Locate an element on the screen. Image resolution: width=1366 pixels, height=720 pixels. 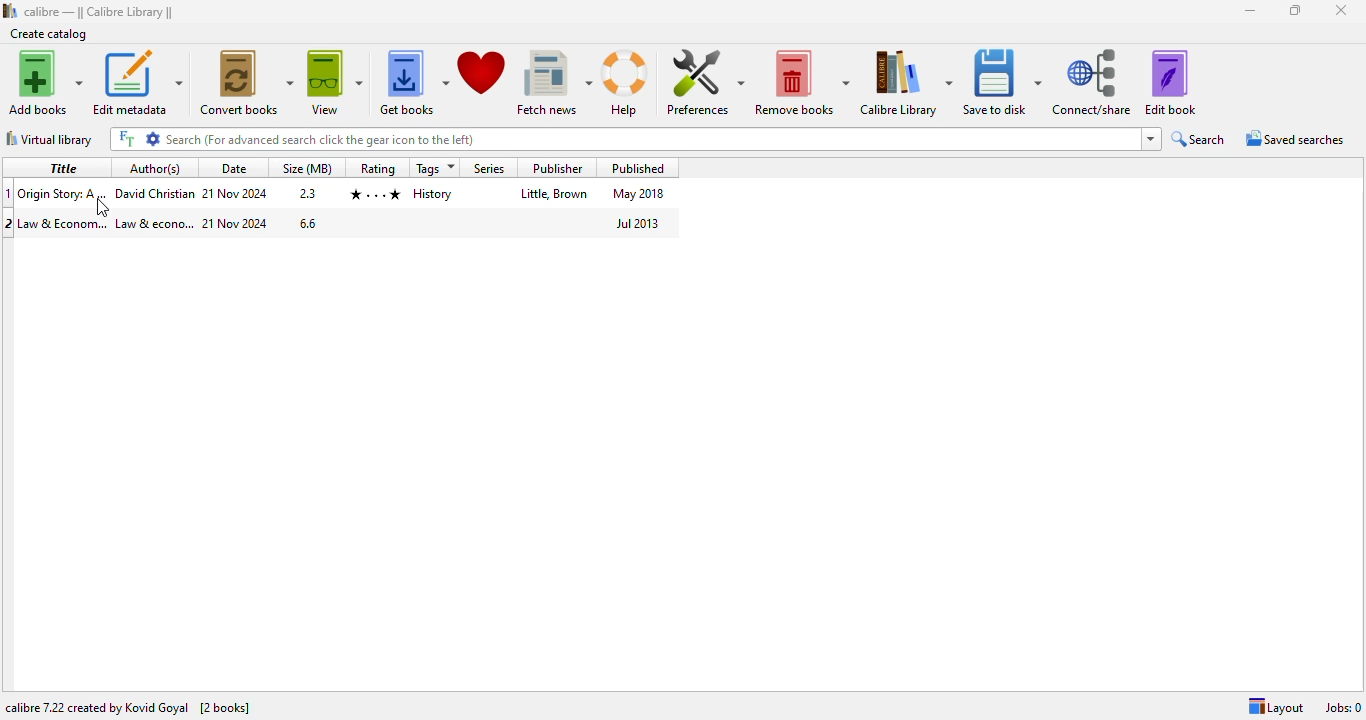
remove books is located at coordinates (801, 83).